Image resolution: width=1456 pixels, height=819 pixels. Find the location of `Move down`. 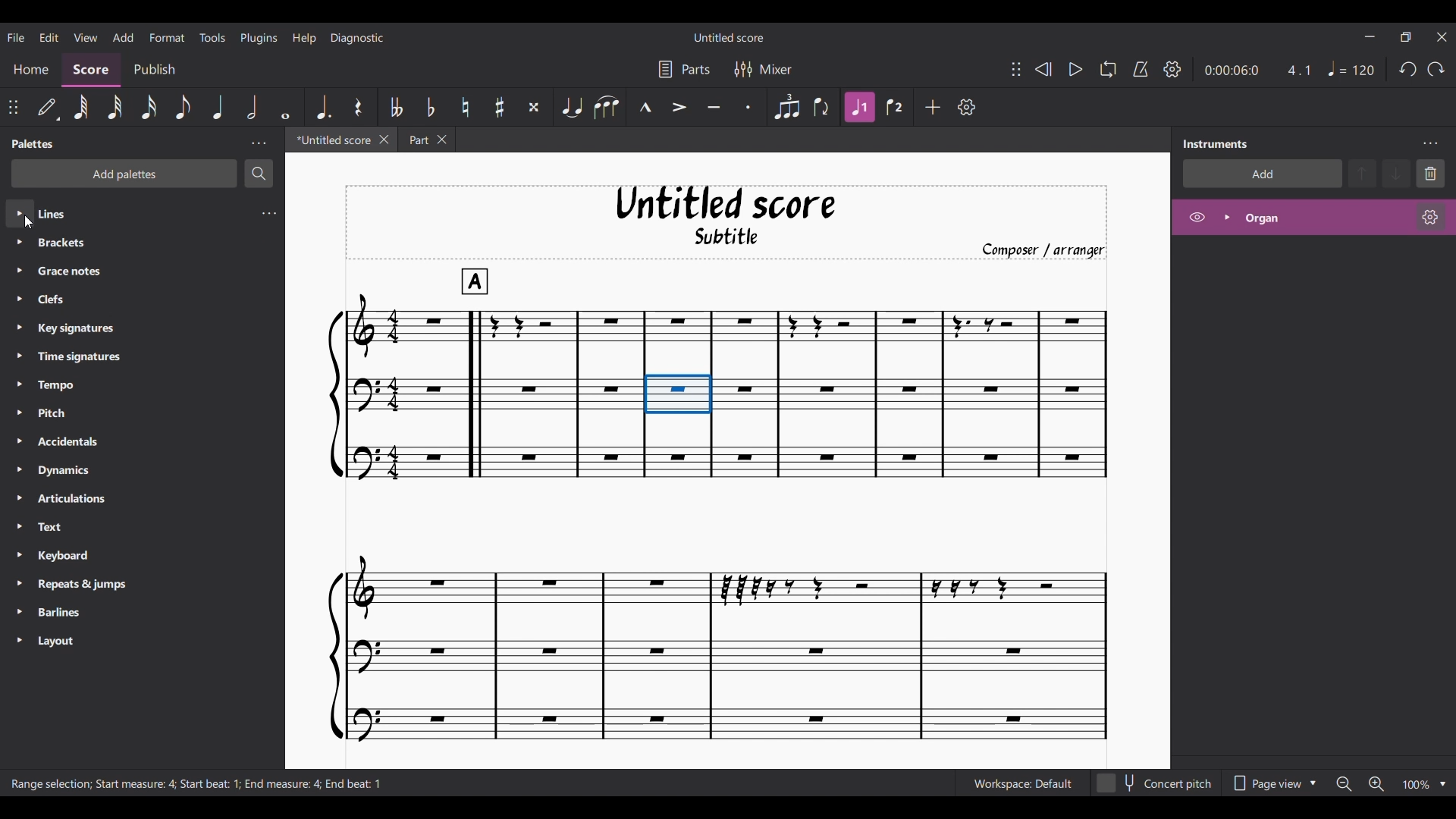

Move down is located at coordinates (1395, 174).